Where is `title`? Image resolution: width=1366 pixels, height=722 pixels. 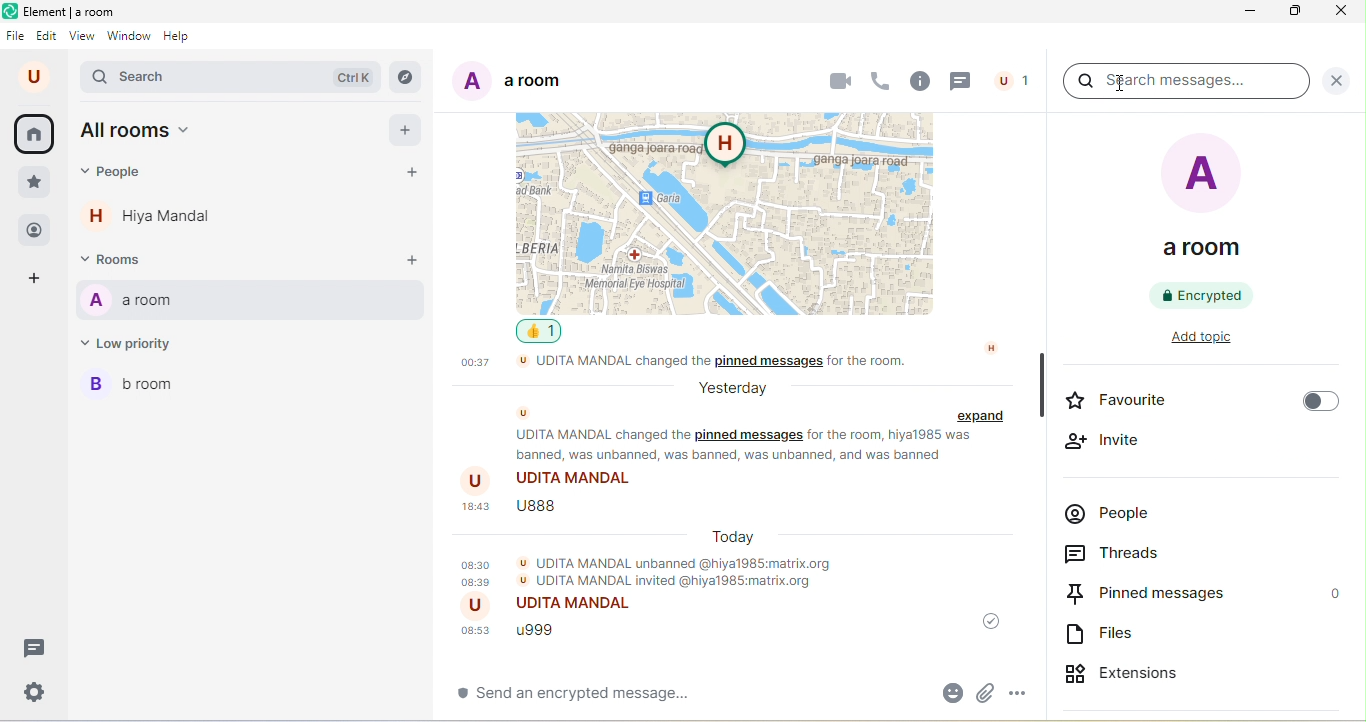
title is located at coordinates (66, 13).